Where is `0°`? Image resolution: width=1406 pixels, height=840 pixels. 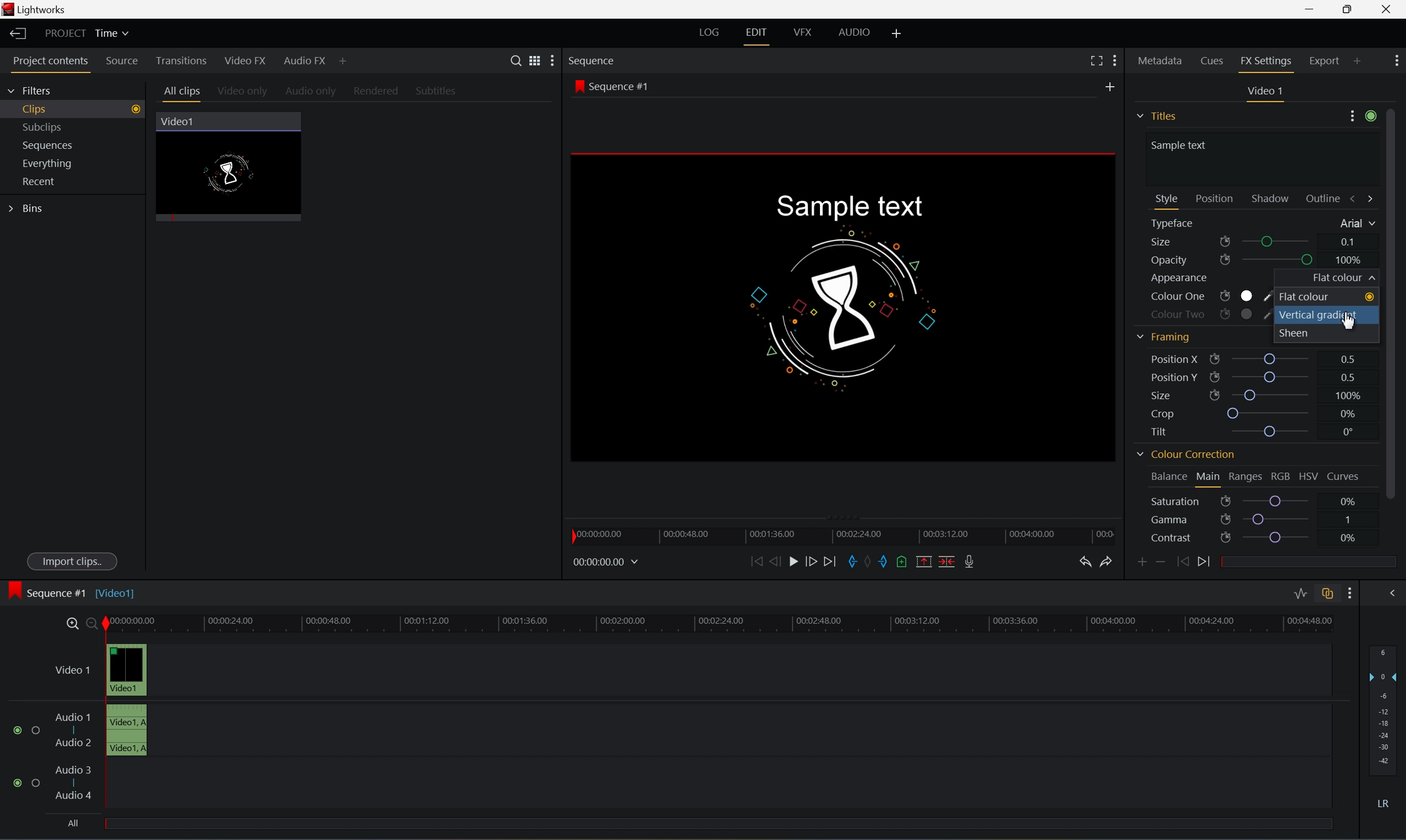 0° is located at coordinates (1345, 432).